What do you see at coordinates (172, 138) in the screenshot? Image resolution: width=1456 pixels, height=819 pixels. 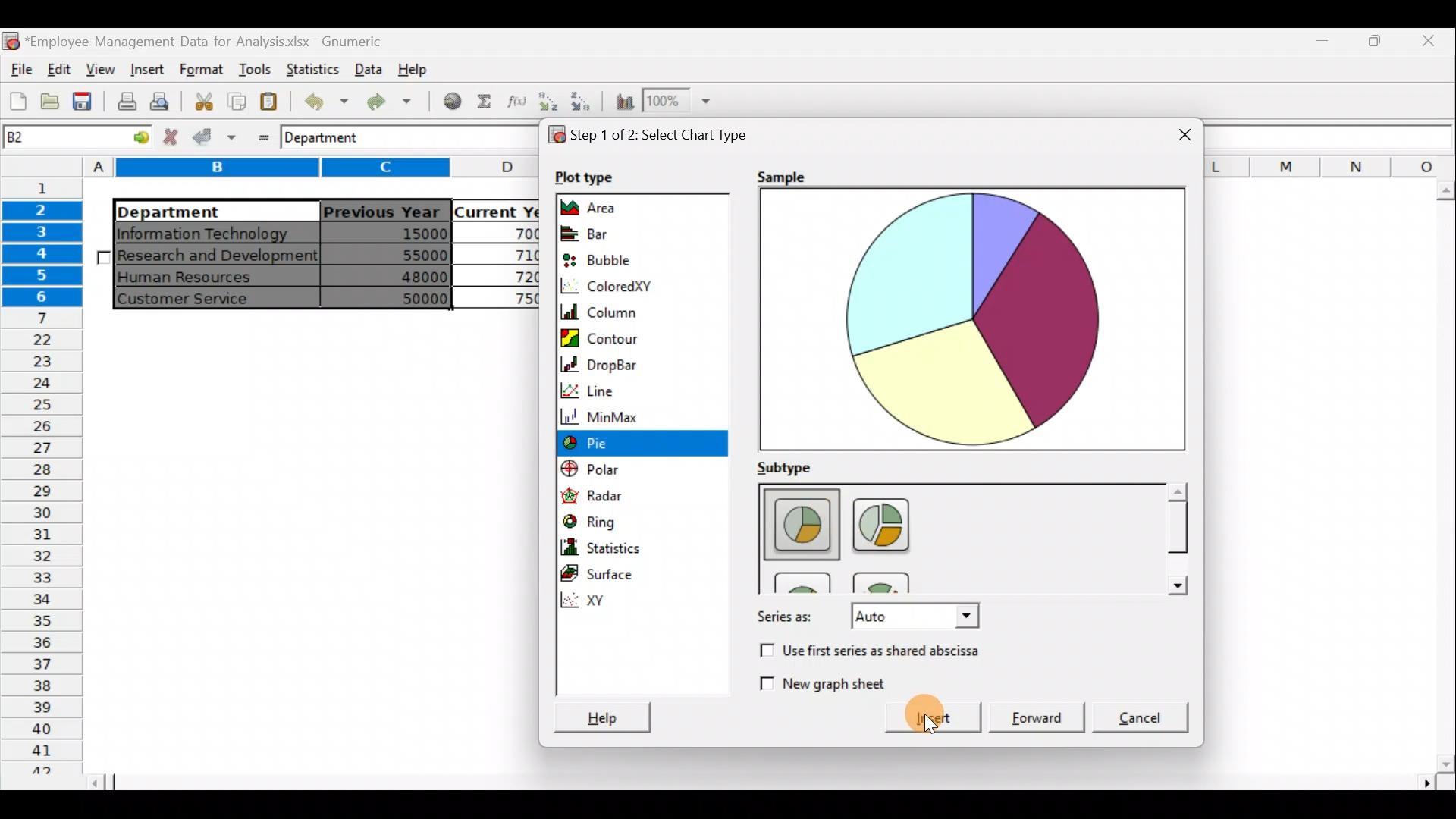 I see `Cancel change` at bounding box center [172, 138].